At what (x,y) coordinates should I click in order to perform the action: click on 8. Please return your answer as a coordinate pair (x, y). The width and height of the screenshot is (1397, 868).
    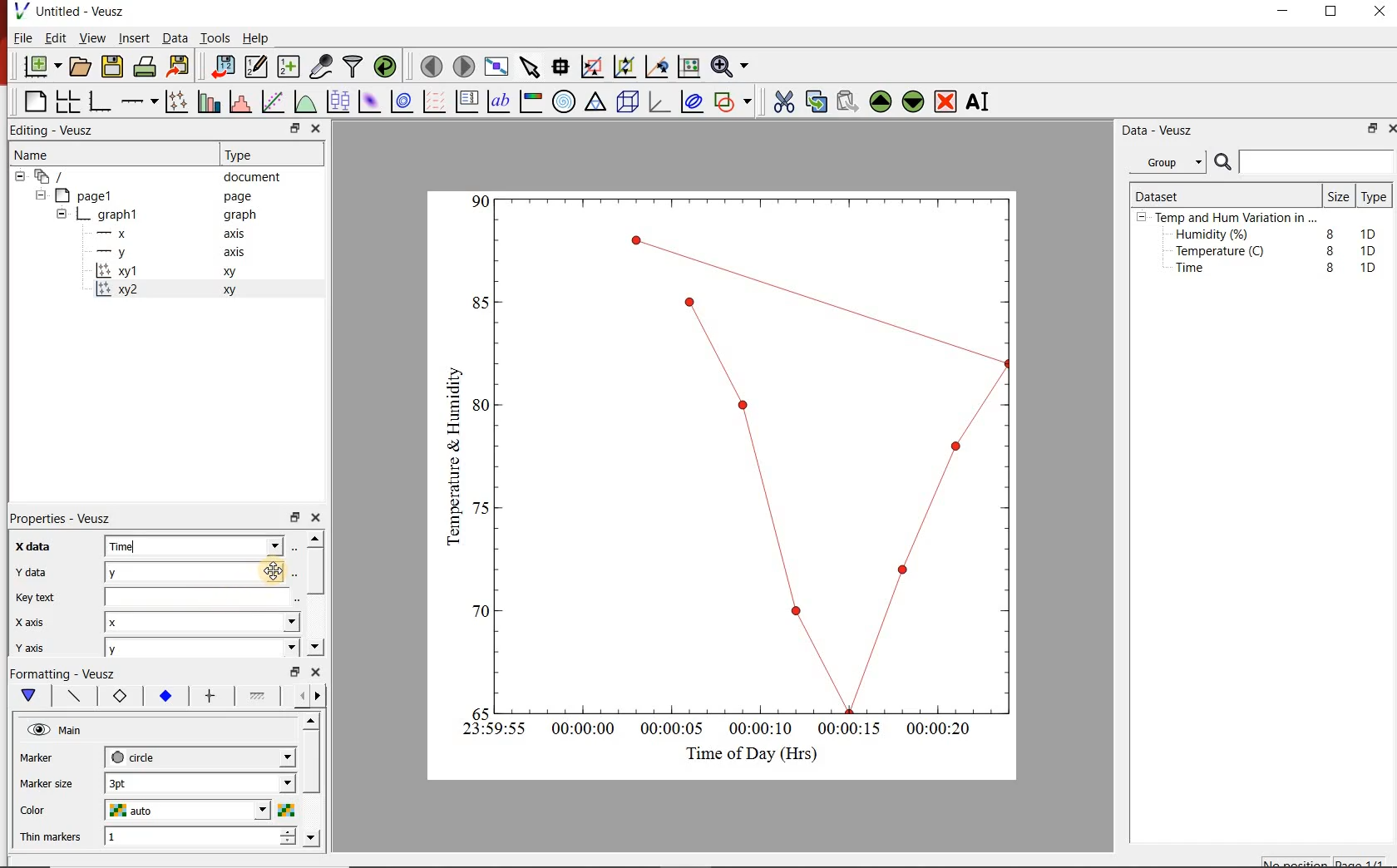
    Looking at the image, I should click on (1327, 231).